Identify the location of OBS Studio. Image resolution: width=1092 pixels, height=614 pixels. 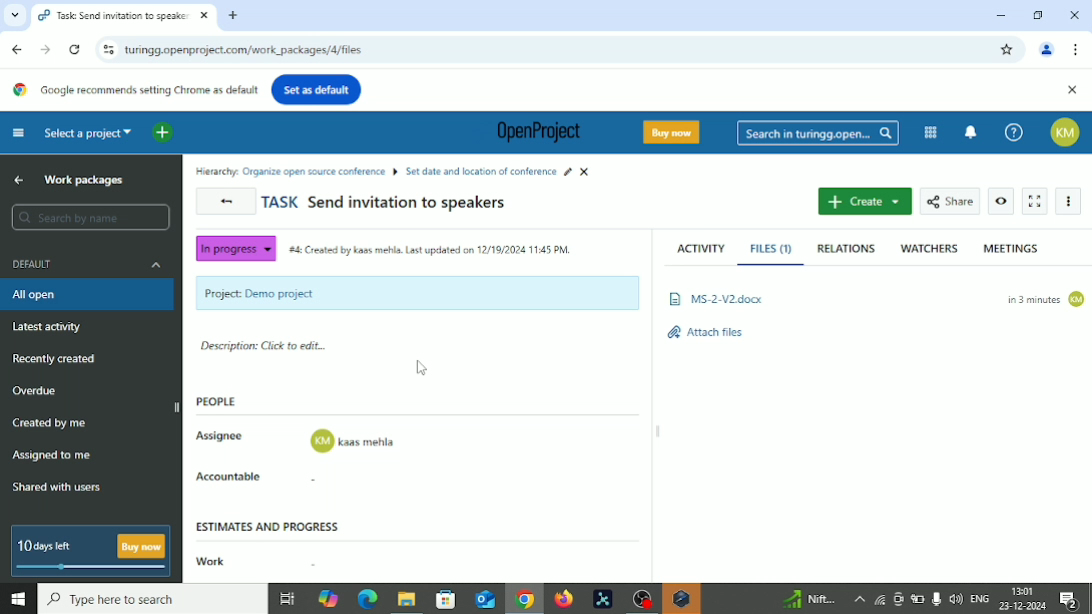
(640, 599).